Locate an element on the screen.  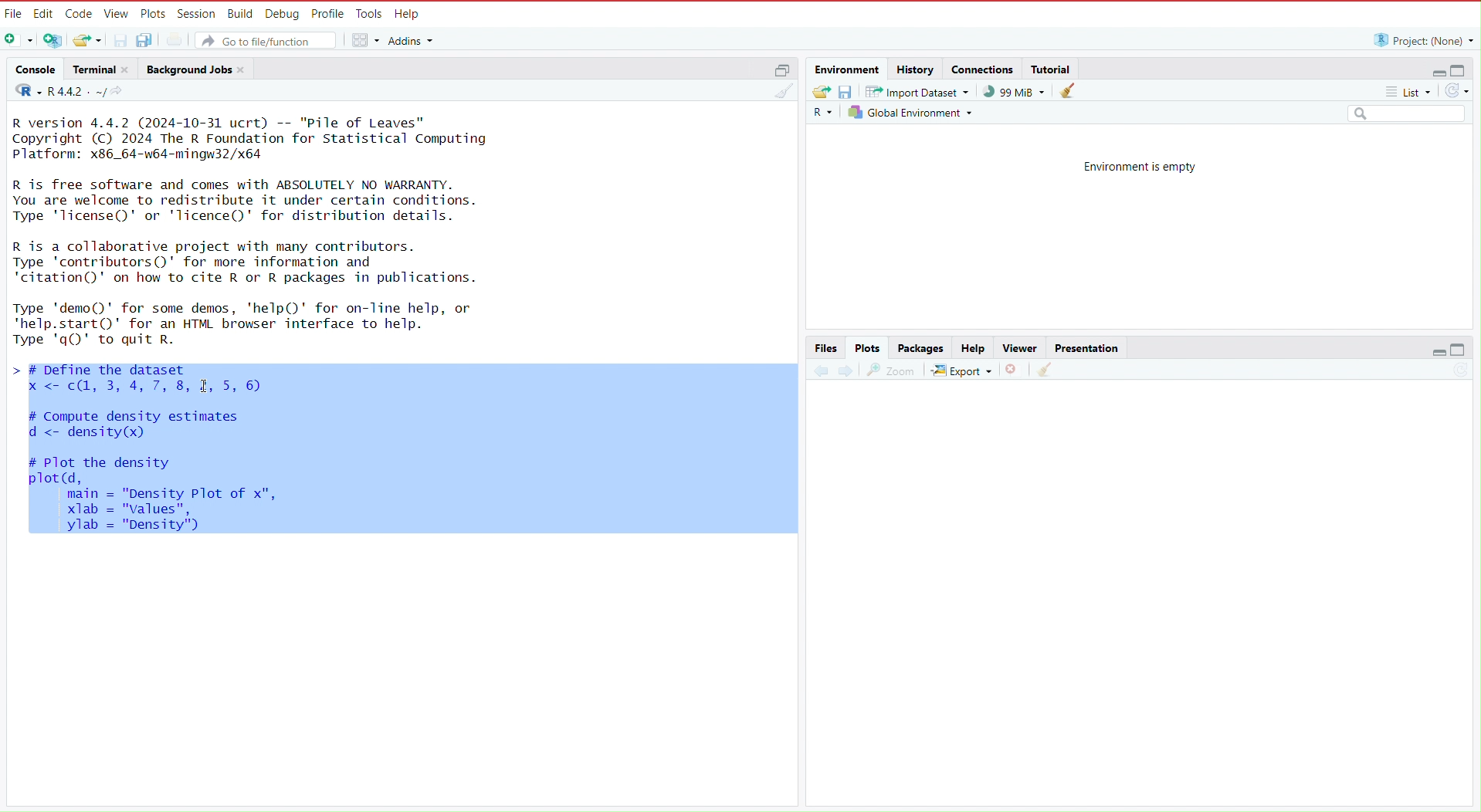
code to define the dataset is located at coordinates (229, 378).